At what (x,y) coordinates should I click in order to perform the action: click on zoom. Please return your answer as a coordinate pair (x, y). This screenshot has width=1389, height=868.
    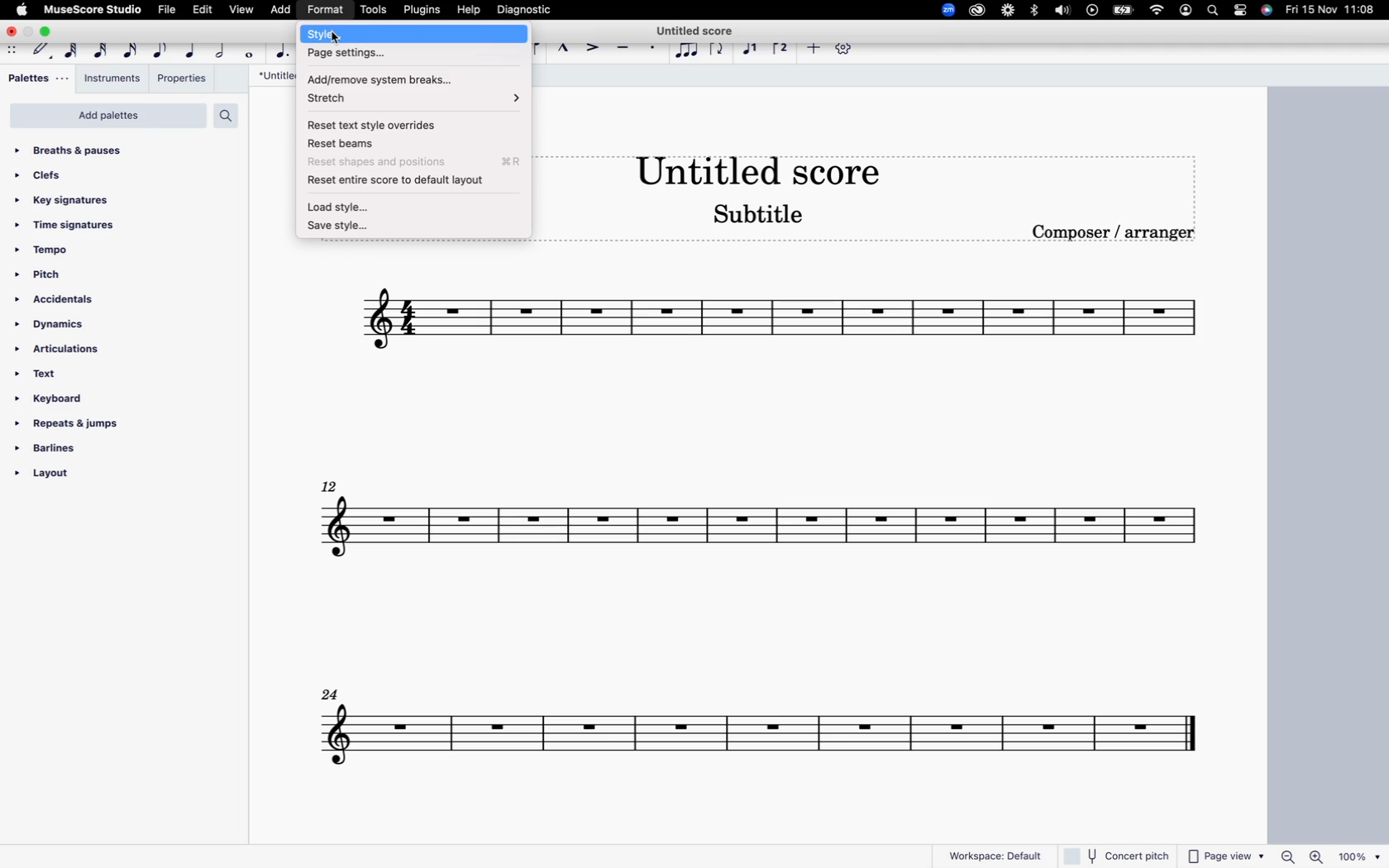
    Looking at the image, I should click on (948, 12).